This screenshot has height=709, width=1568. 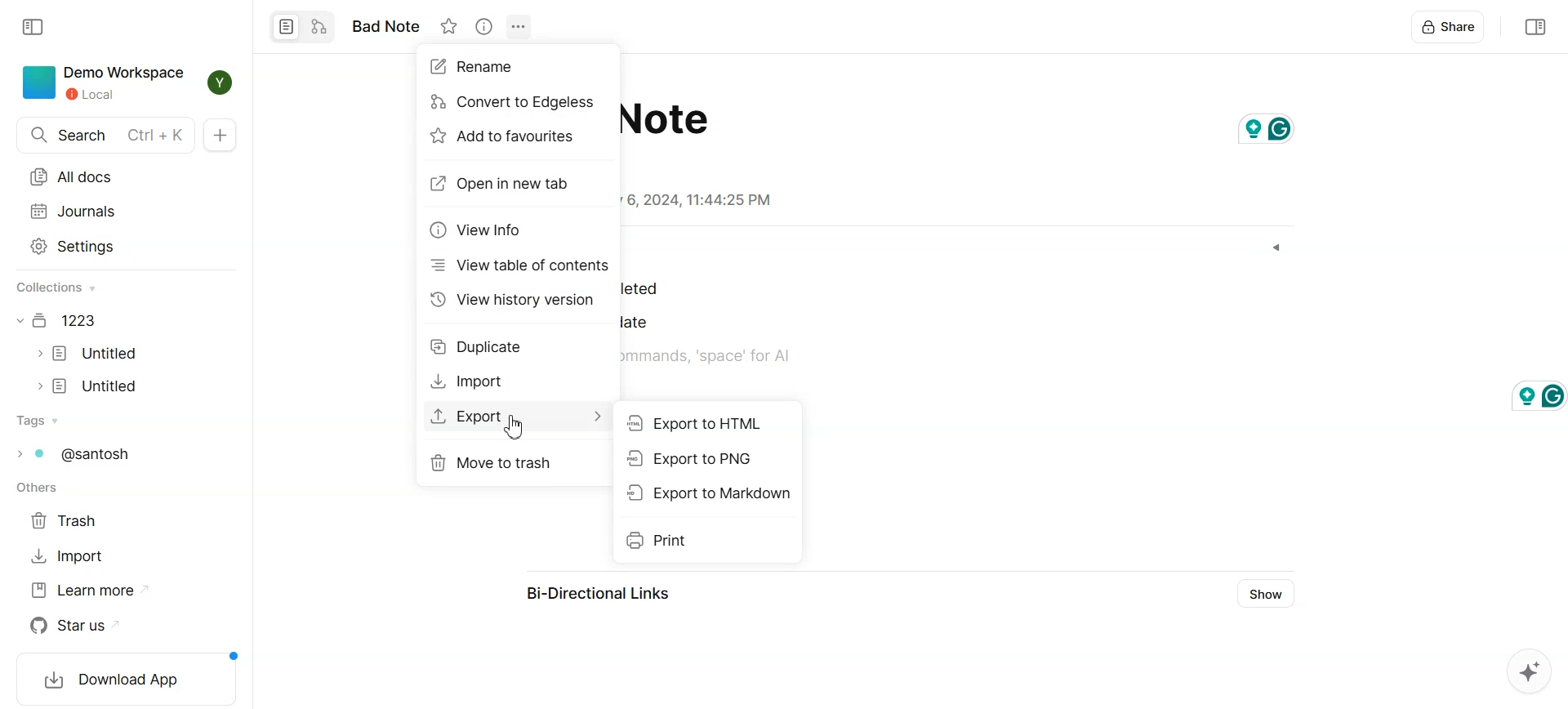 I want to click on Export to PNG, so click(x=706, y=458).